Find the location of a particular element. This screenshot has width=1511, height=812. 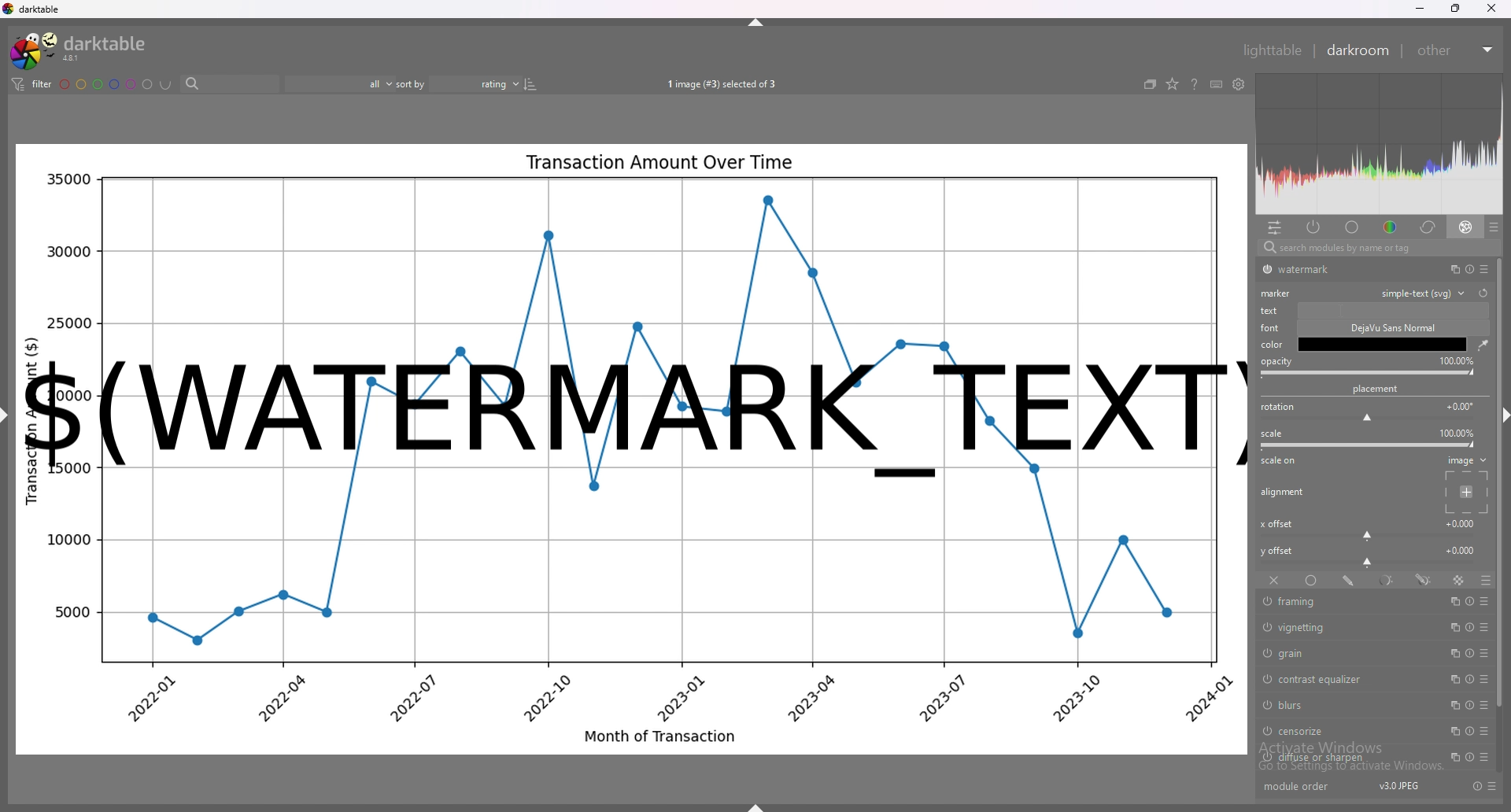

drawn mask is located at coordinates (1350, 580).